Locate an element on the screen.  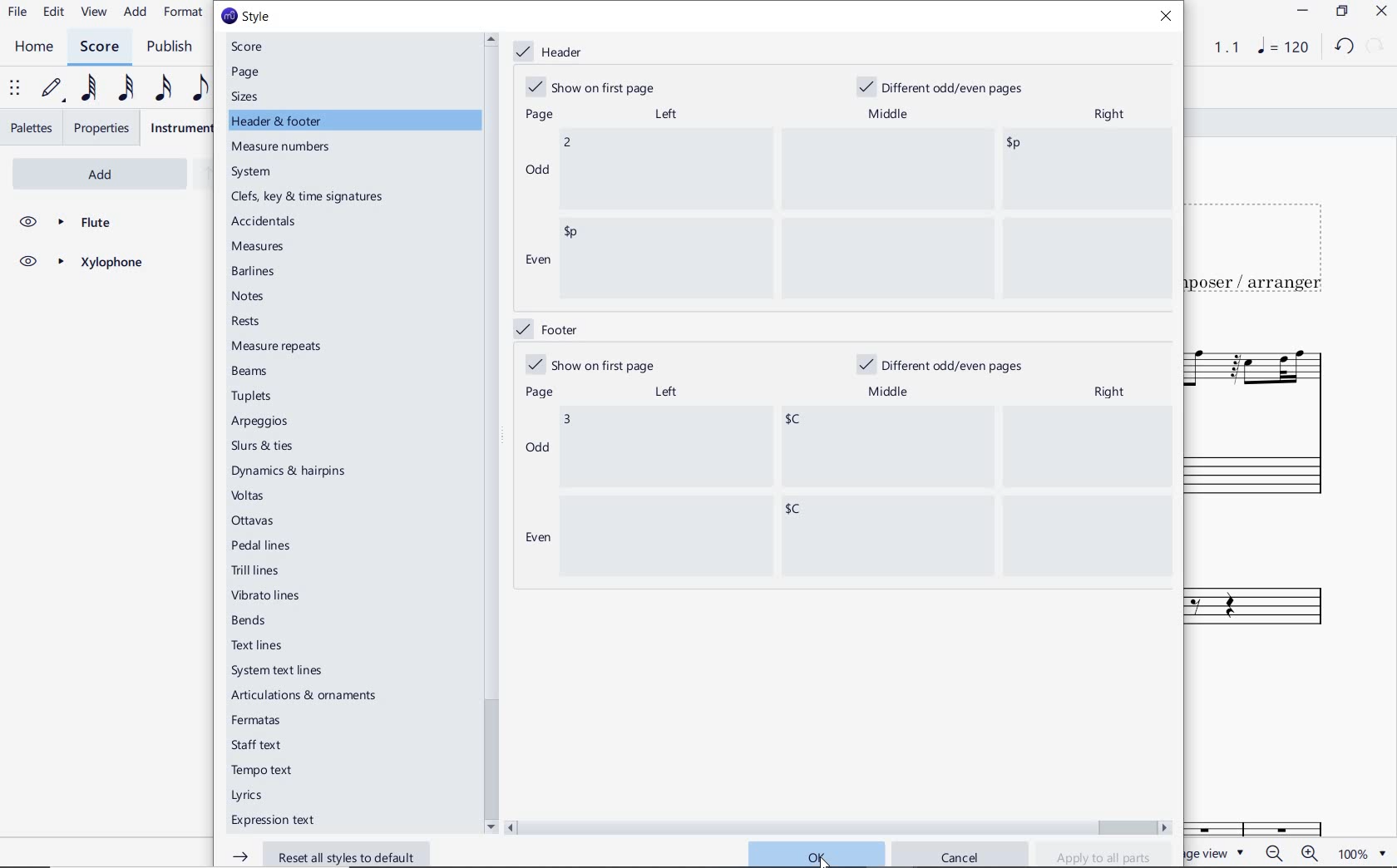
even is located at coordinates (535, 539).